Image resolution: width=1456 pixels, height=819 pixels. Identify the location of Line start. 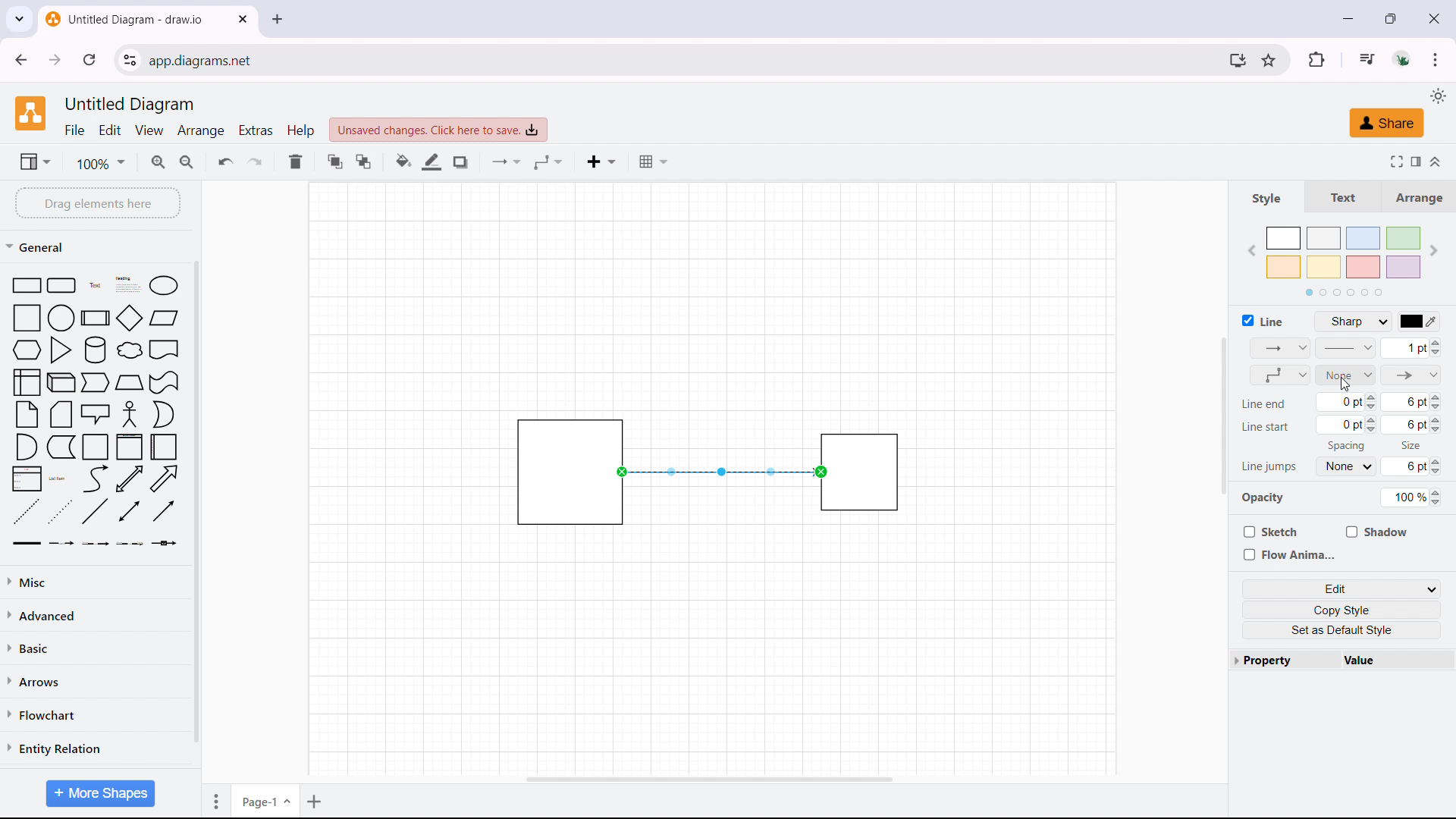
(1266, 429).